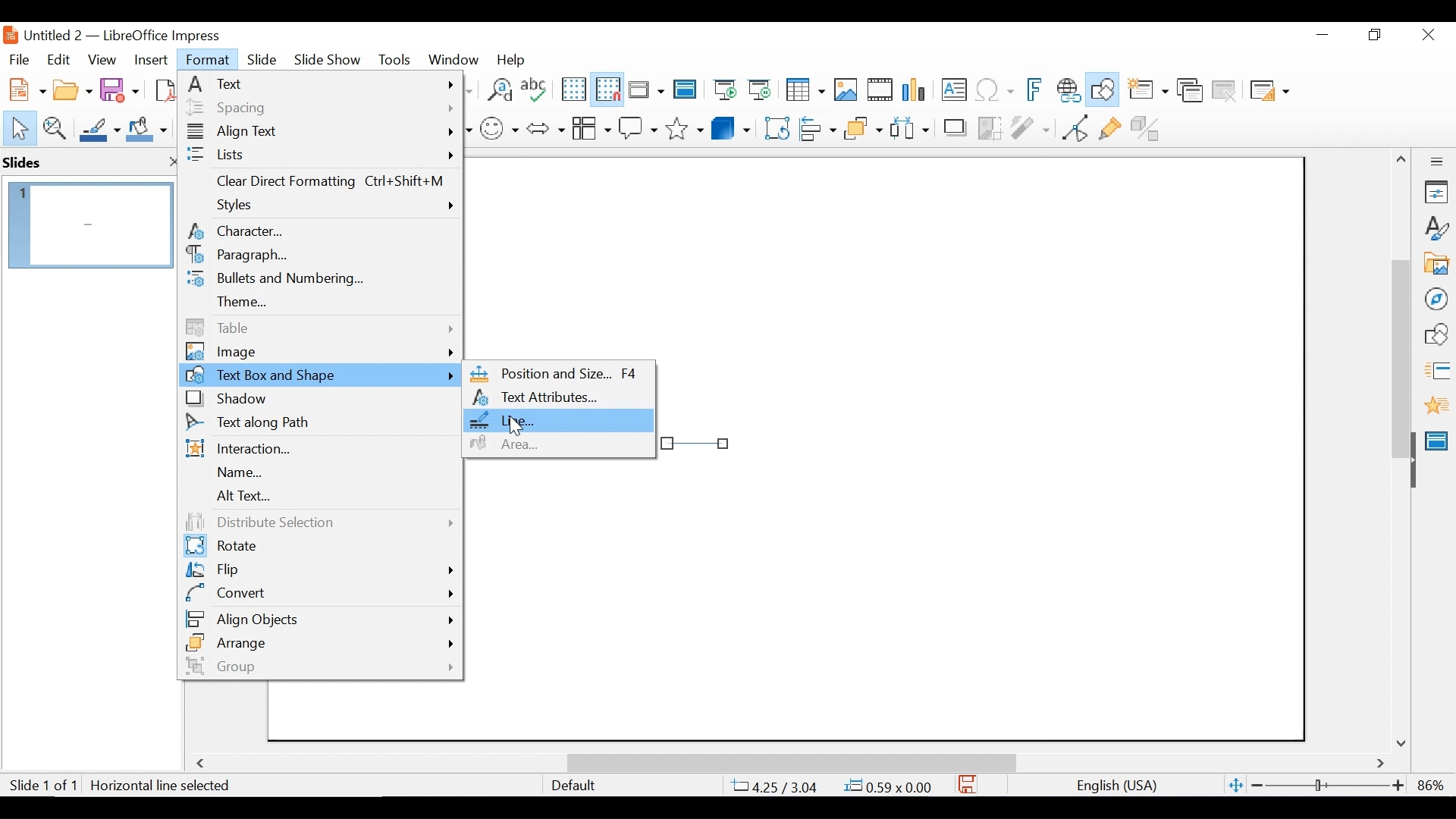 The height and width of the screenshot is (819, 1456). What do you see at coordinates (54, 127) in the screenshot?
I see `Zoom & Pan` at bounding box center [54, 127].